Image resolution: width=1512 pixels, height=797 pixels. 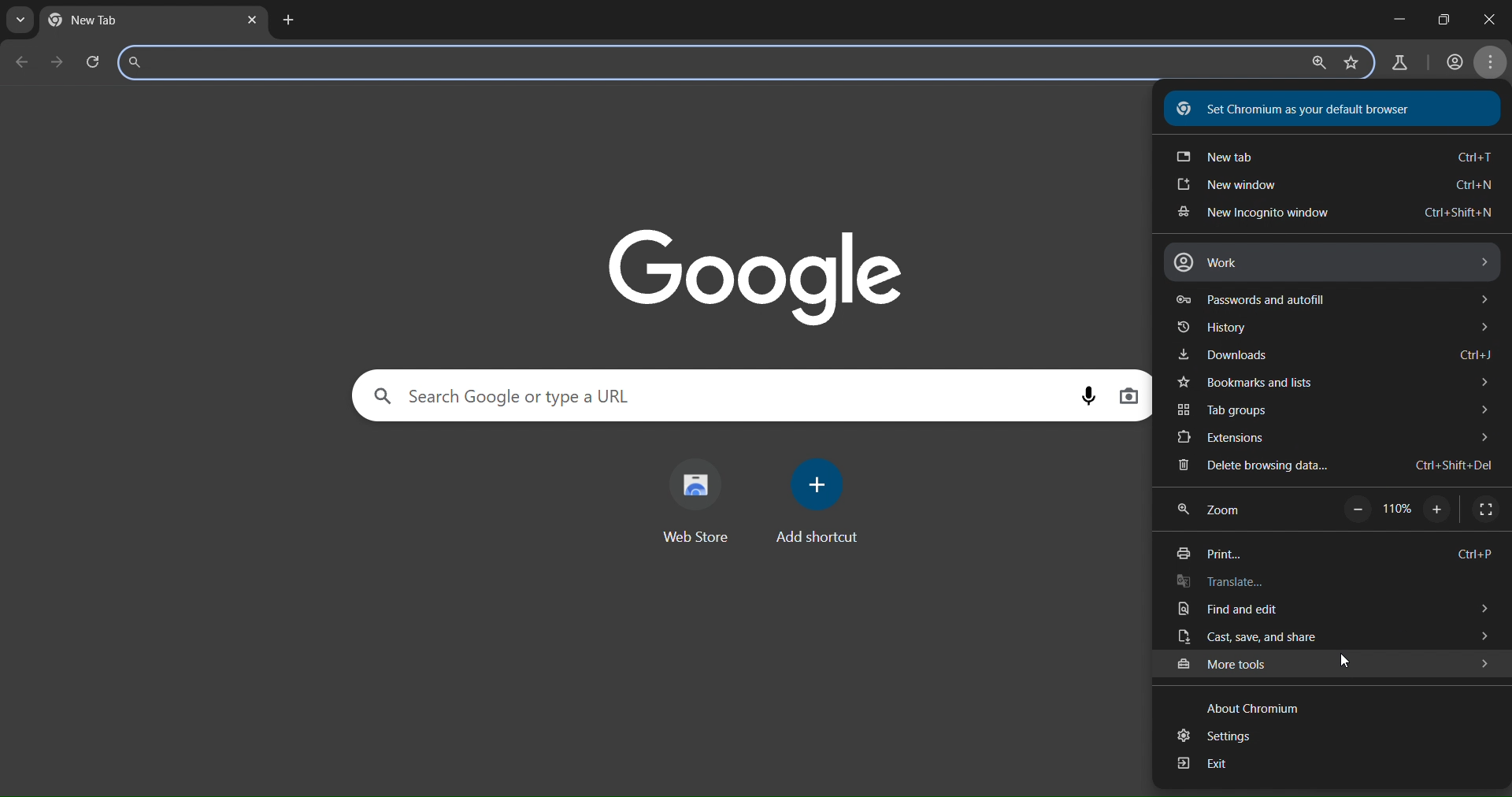 What do you see at coordinates (1356, 510) in the screenshot?
I see `zoom out` at bounding box center [1356, 510].